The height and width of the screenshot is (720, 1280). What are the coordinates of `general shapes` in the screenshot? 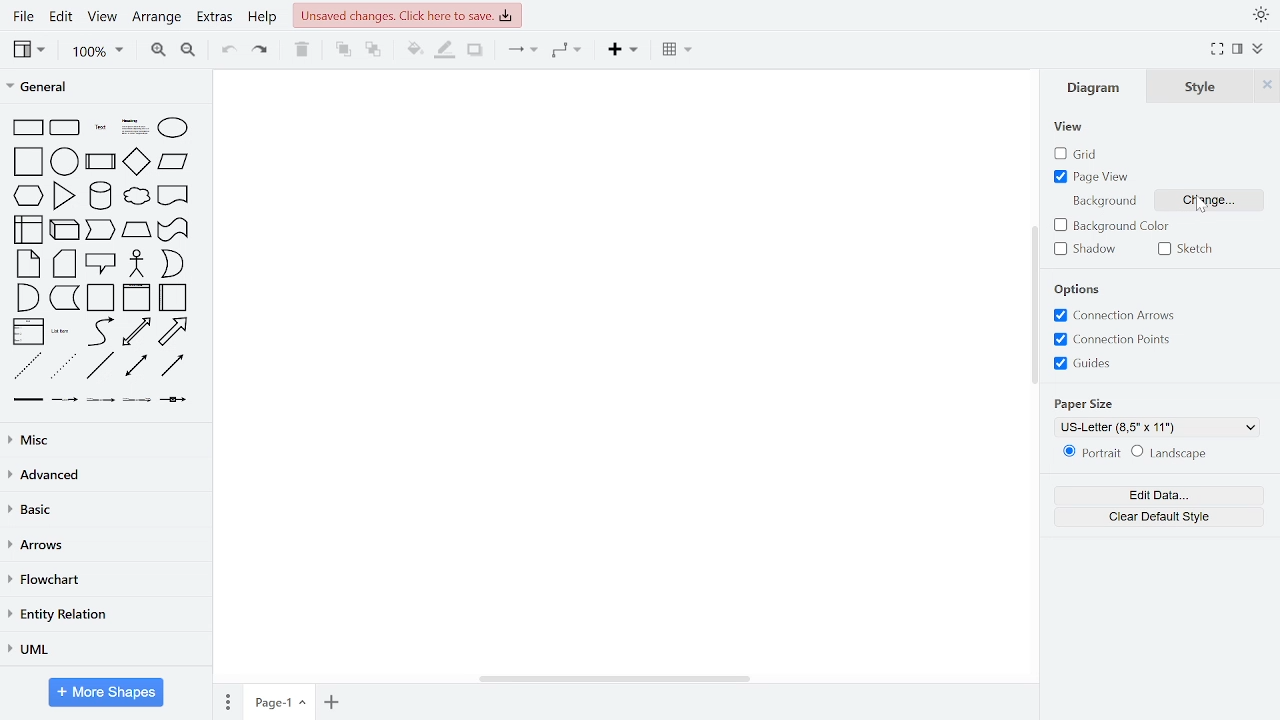 It's located at (99, 332).